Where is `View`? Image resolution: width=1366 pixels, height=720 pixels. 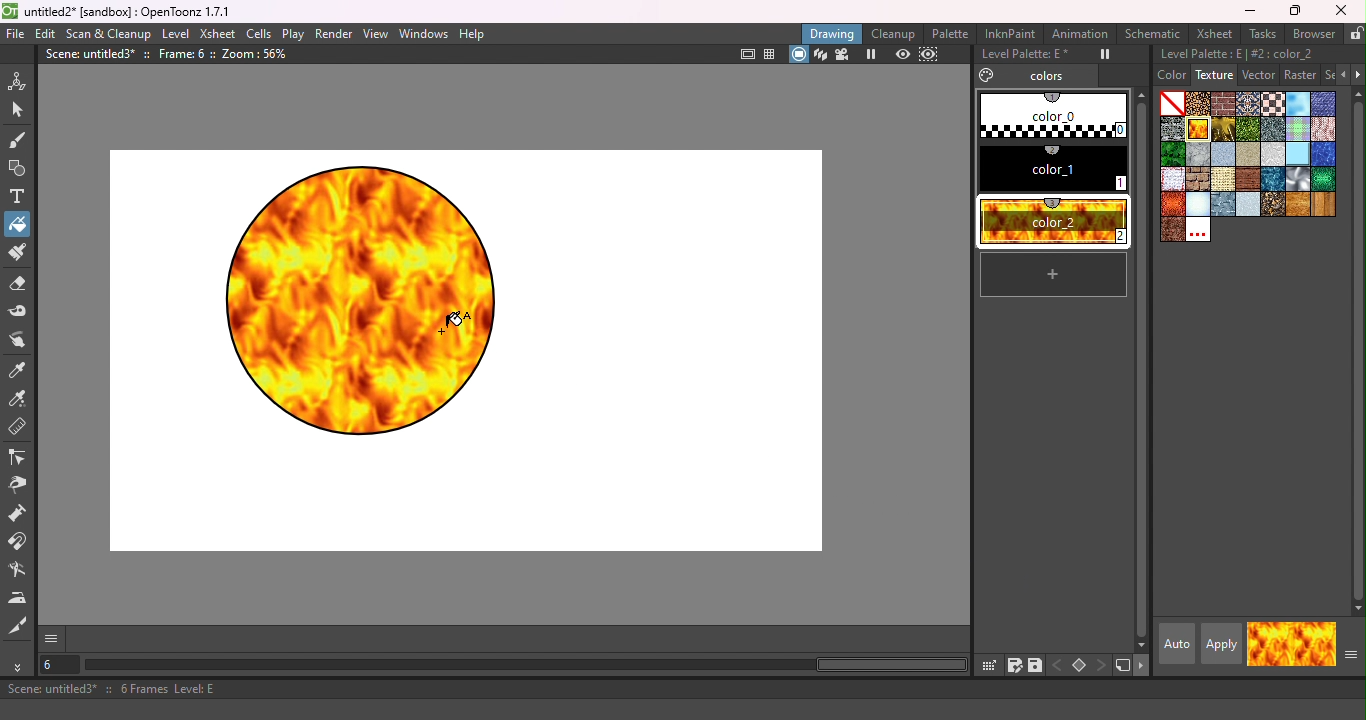 View is located at coordinates (376, 33).